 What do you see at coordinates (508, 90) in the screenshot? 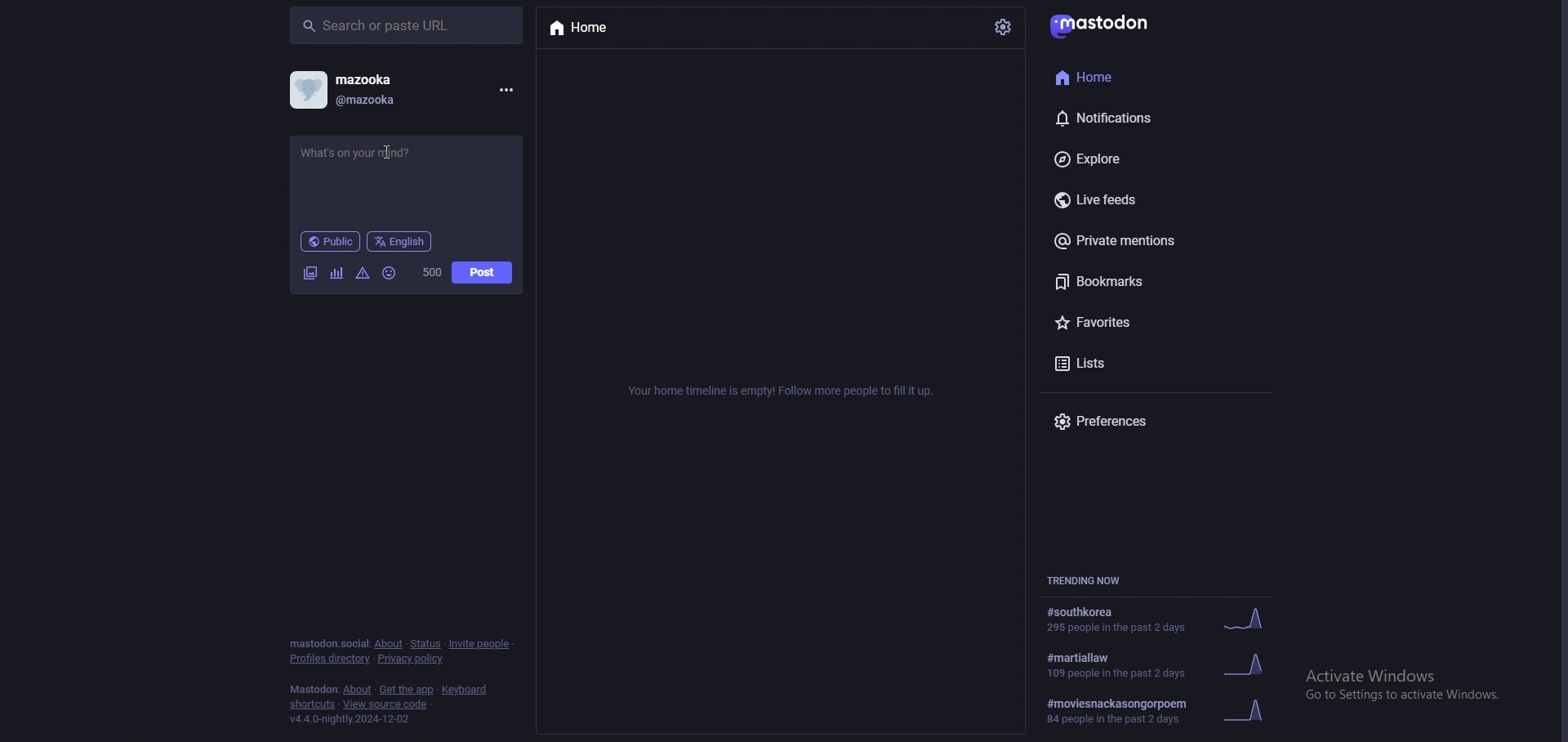
I see `menu` at bounding box center [508, 90].